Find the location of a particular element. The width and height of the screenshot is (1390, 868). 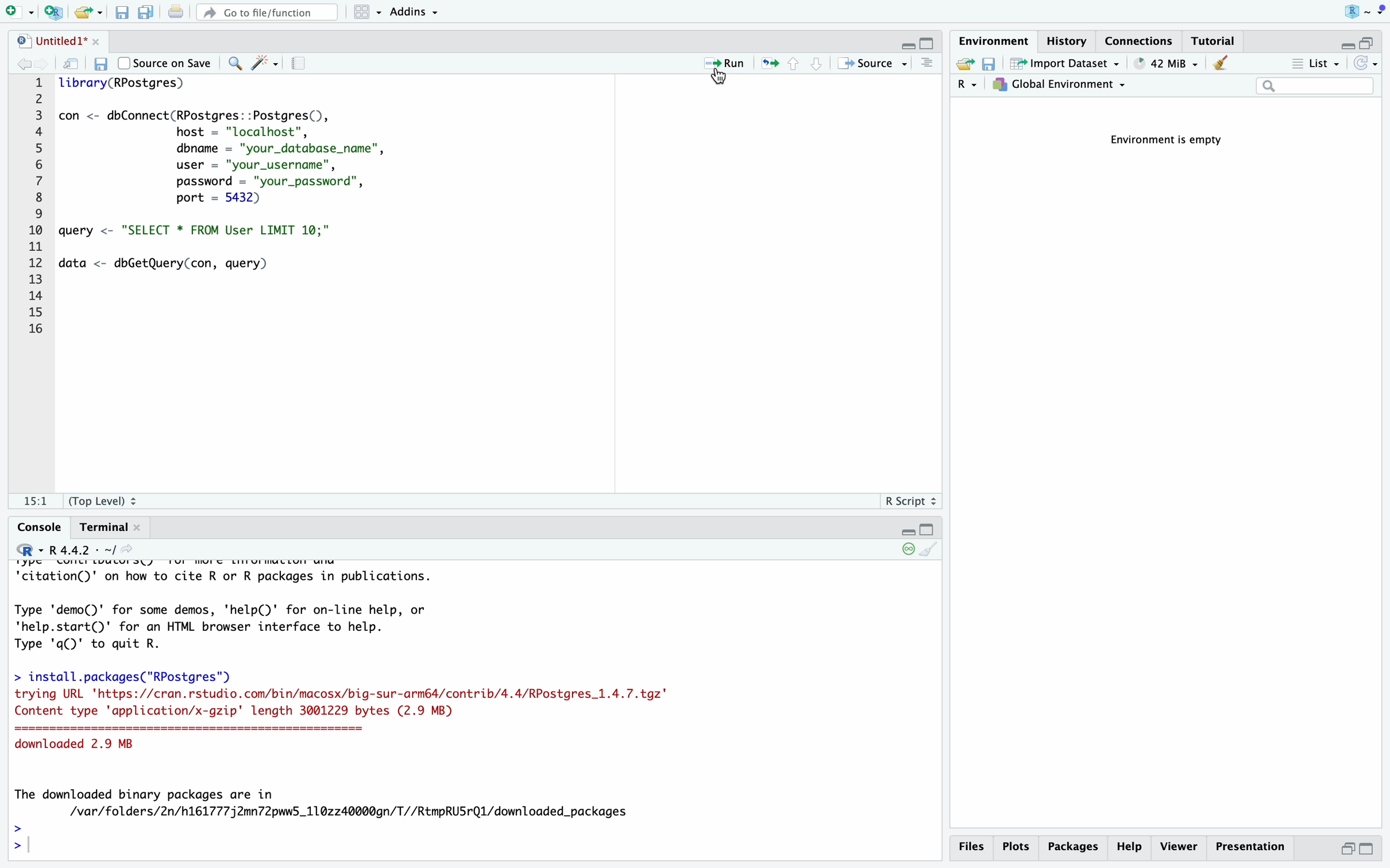

save workspace as is located at coordinates (993, 65).